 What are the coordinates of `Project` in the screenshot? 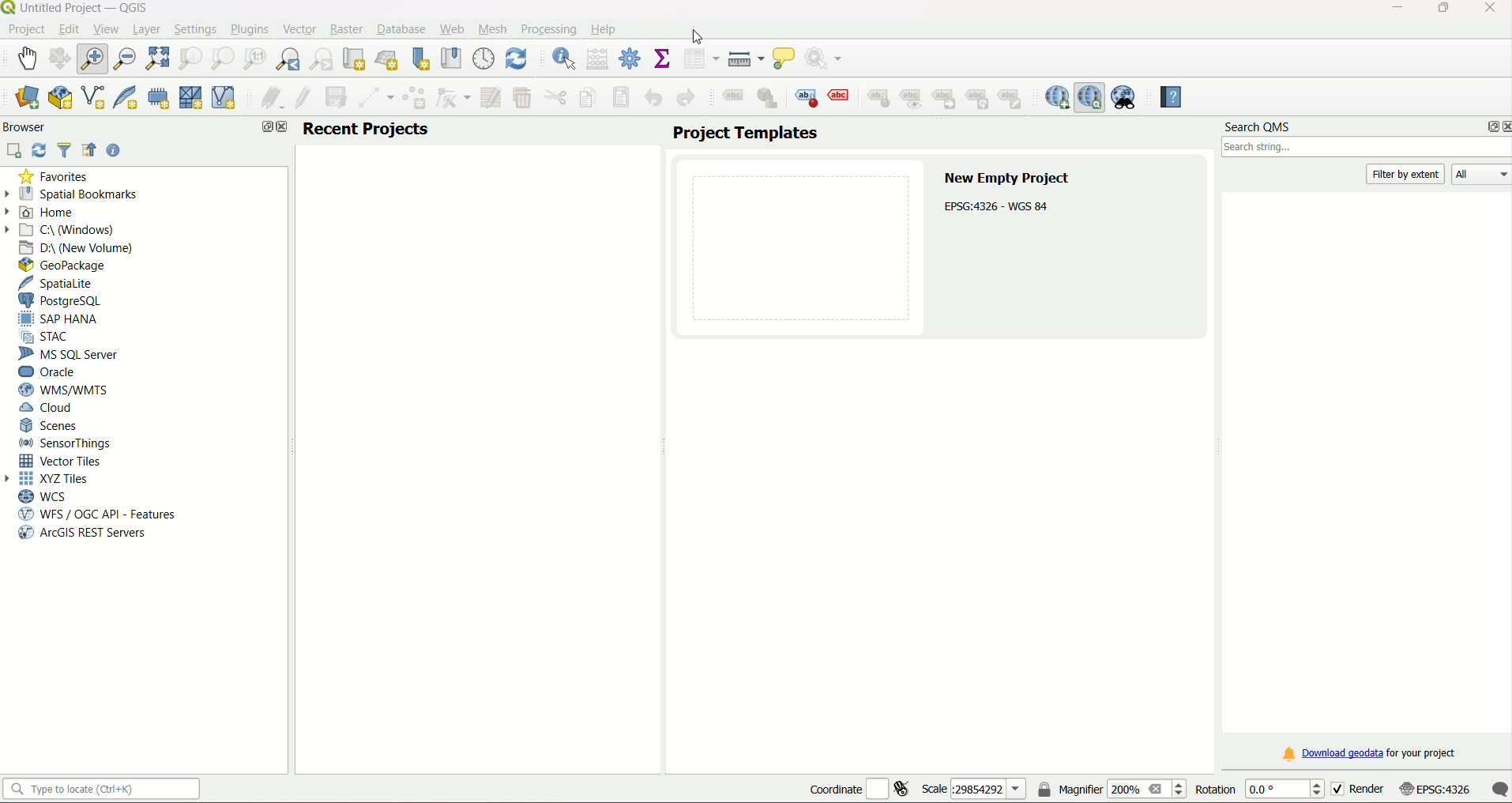 It's located at (26, 30).